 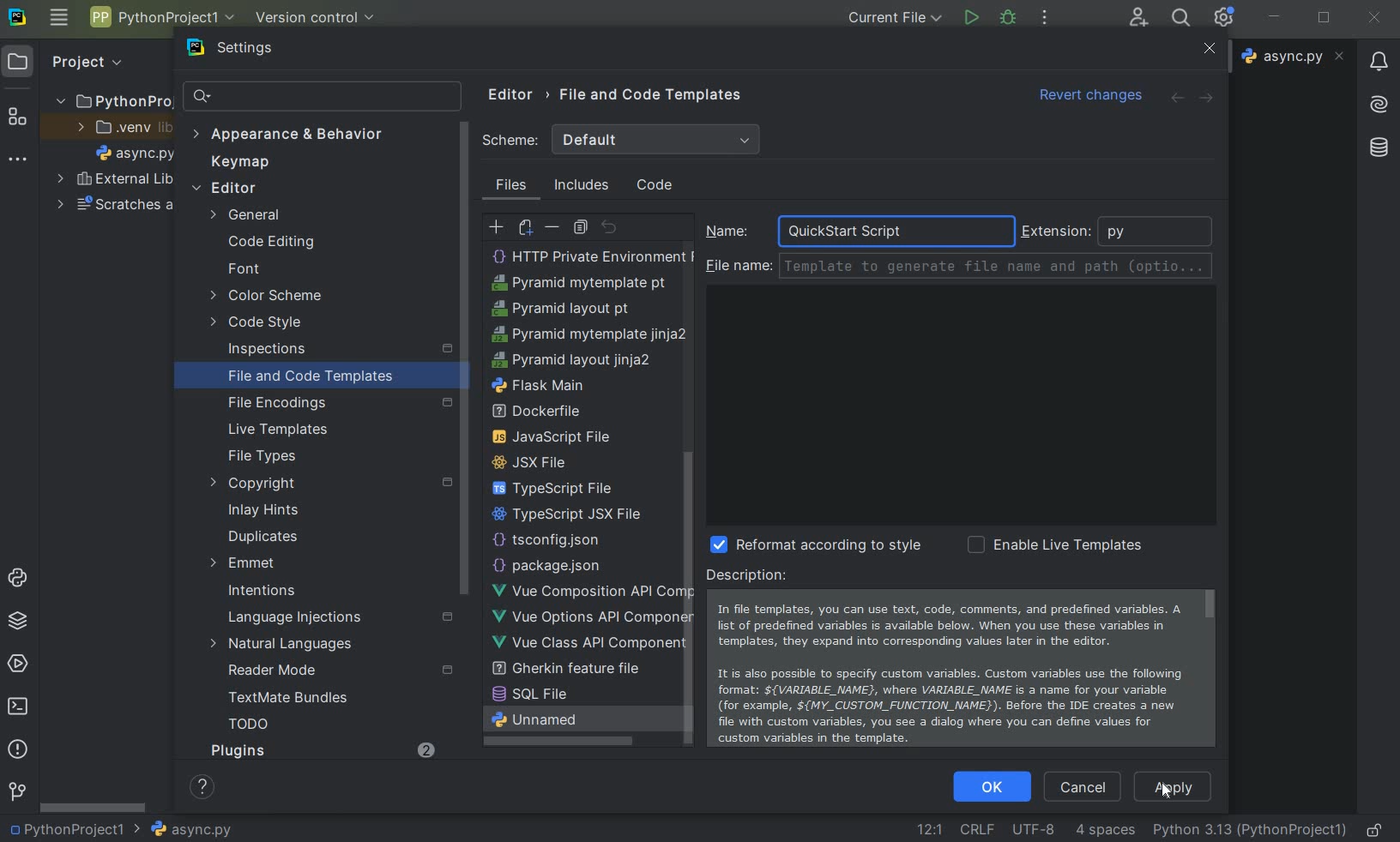 What do you see at coordinates (206, 790) in the screenshot?
I see `show help contents` at bounding box center [206, 790].